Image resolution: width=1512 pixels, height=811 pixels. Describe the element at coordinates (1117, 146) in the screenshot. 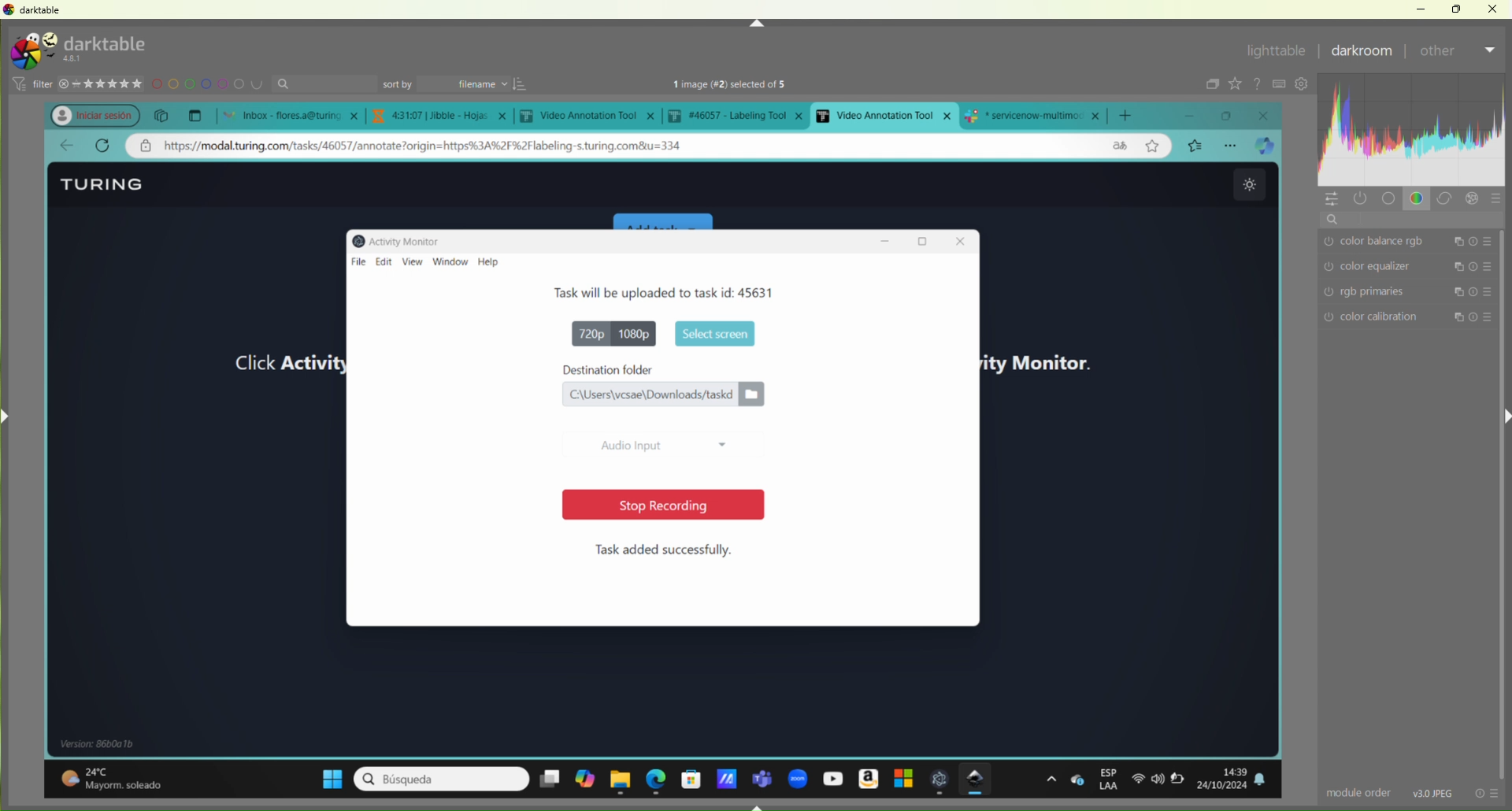

I see `language` at that location.